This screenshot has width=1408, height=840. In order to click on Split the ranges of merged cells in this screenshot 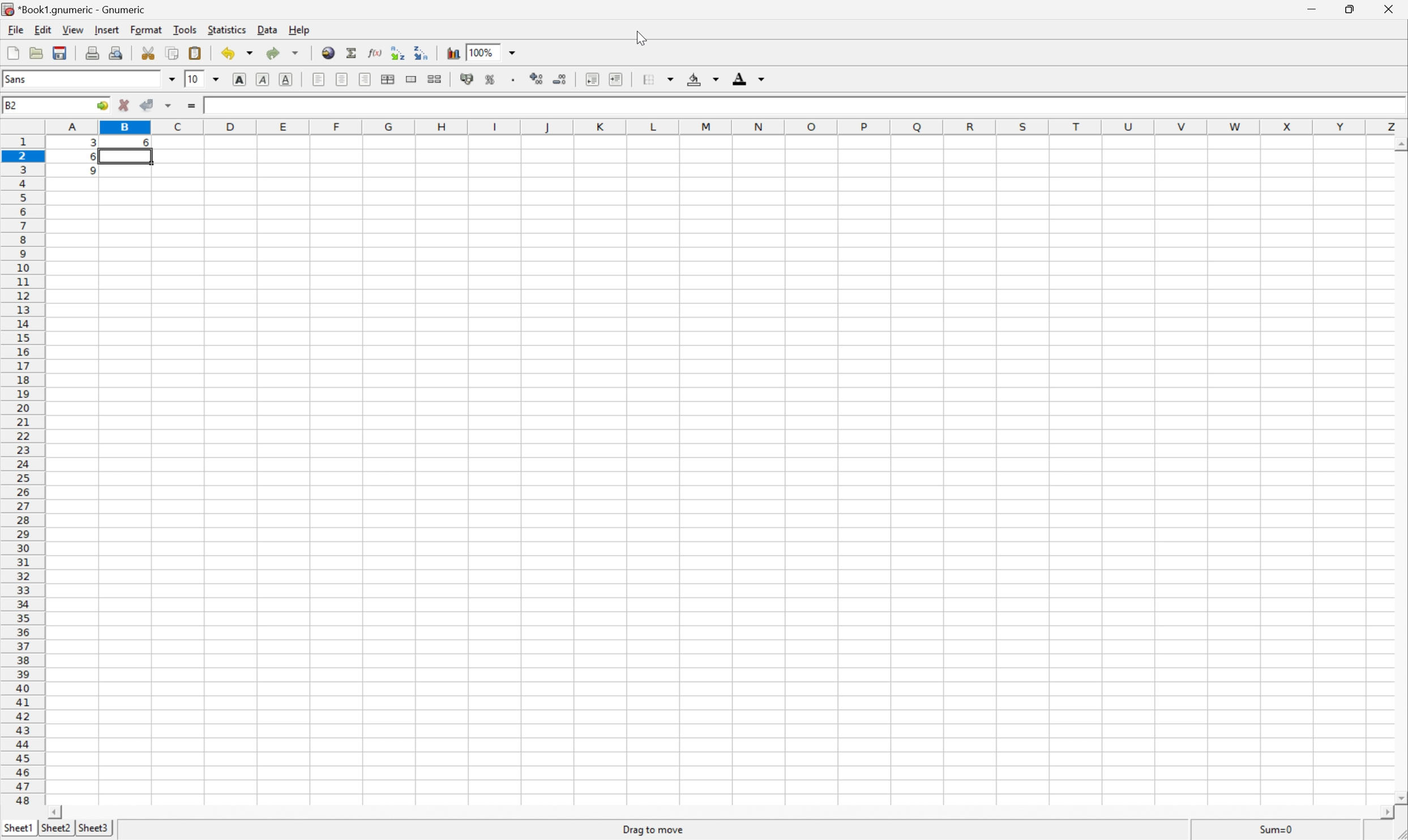, I will do `click(434, 79)`.